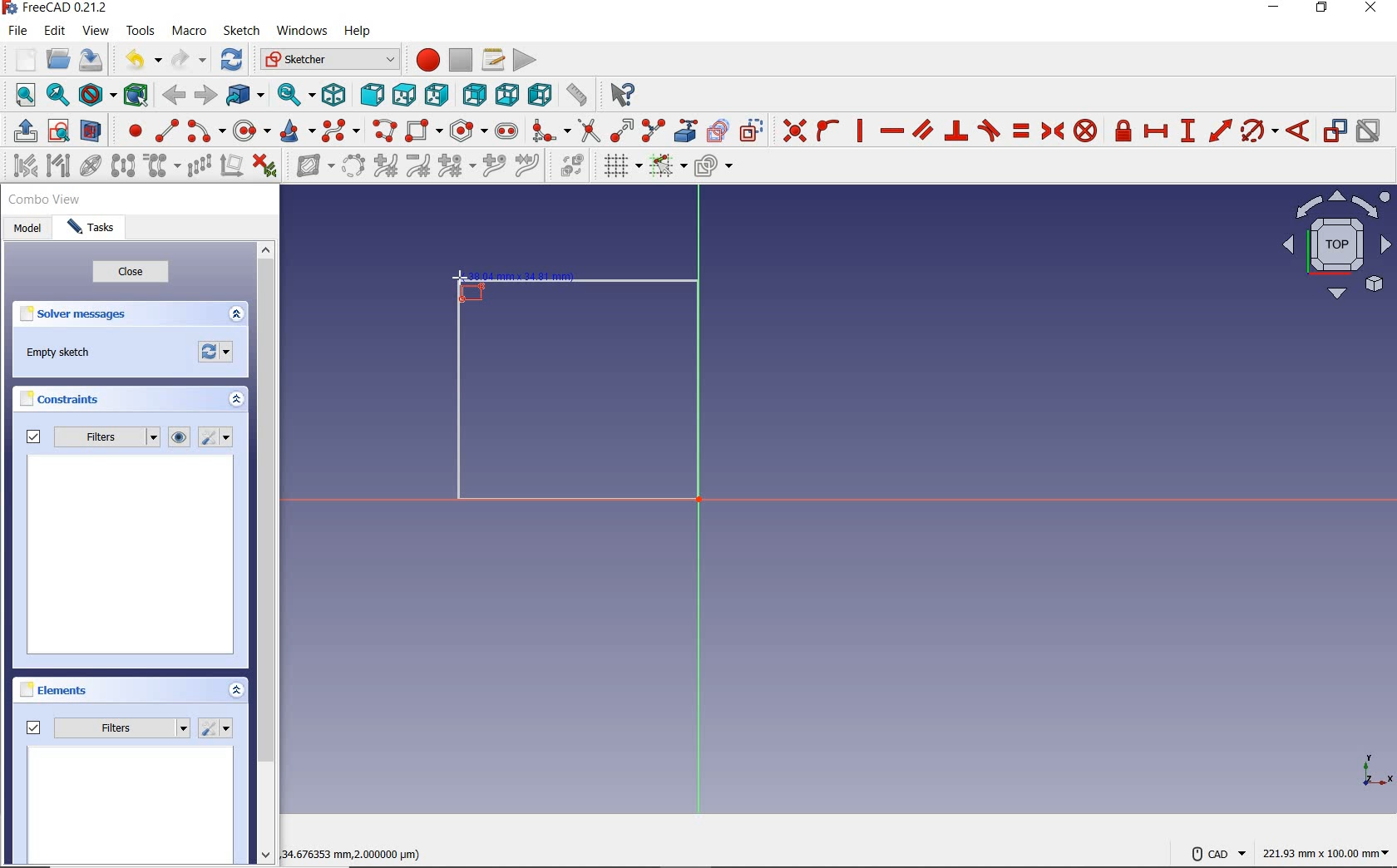  What do you see at coordinates (891, 131) in the screenshot?
I see `constrain horizontally` at bounding box center [891, 131].